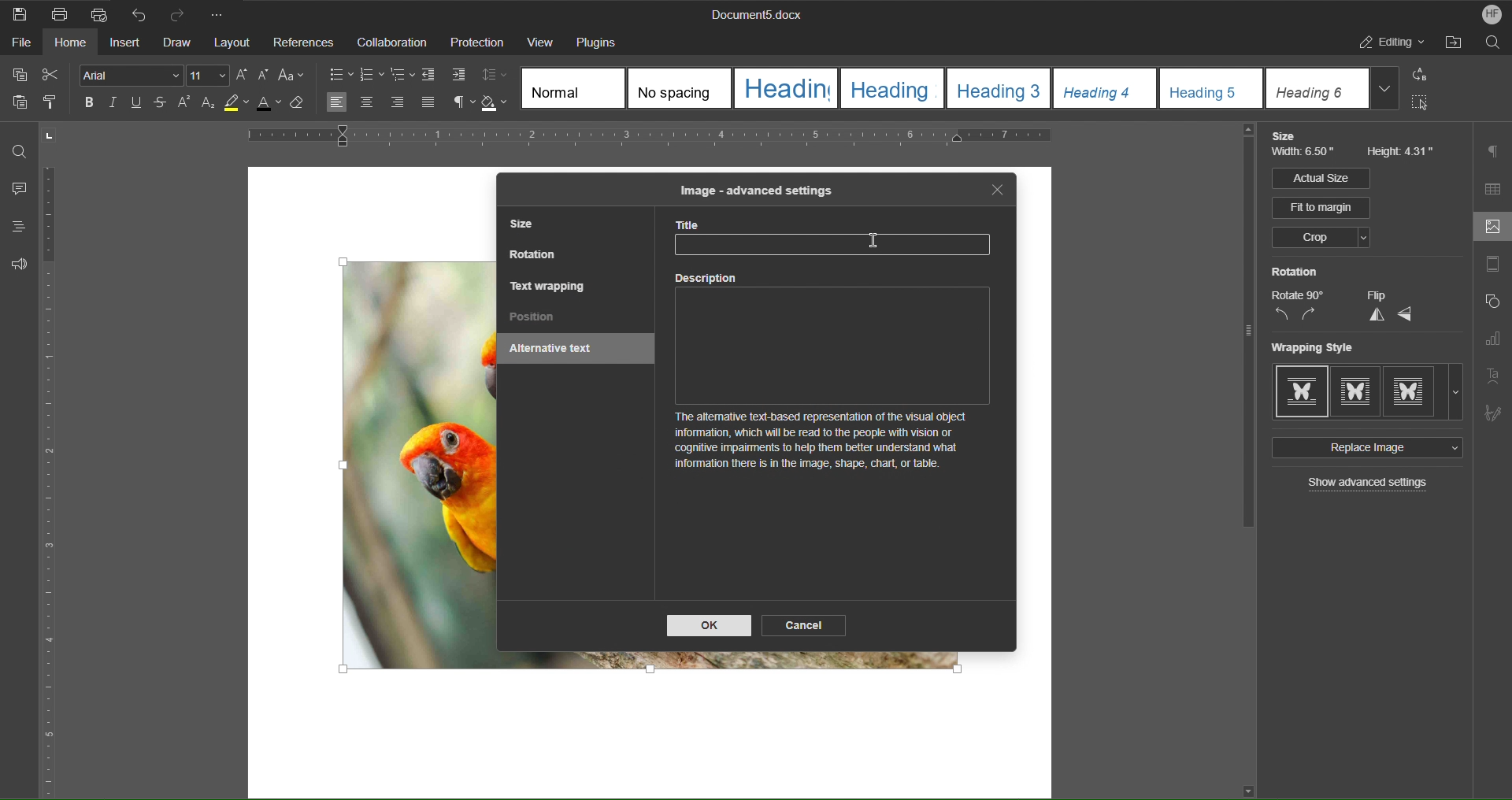  Describe the element at coordinates (1306, 154) in the screenshot. I see `Width` at that location.